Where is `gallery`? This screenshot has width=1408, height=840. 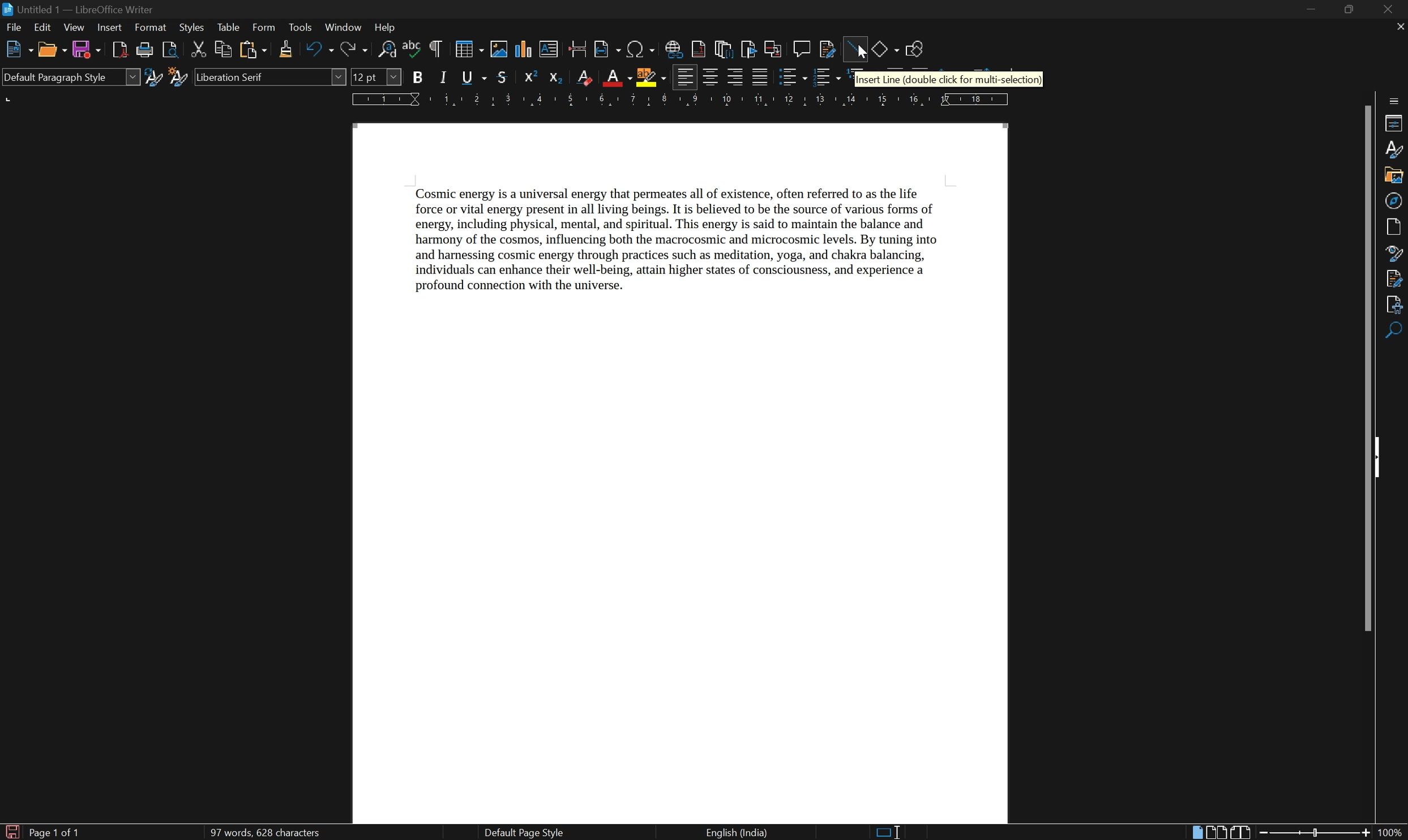 gallery is located at coordinates (1393, 177).